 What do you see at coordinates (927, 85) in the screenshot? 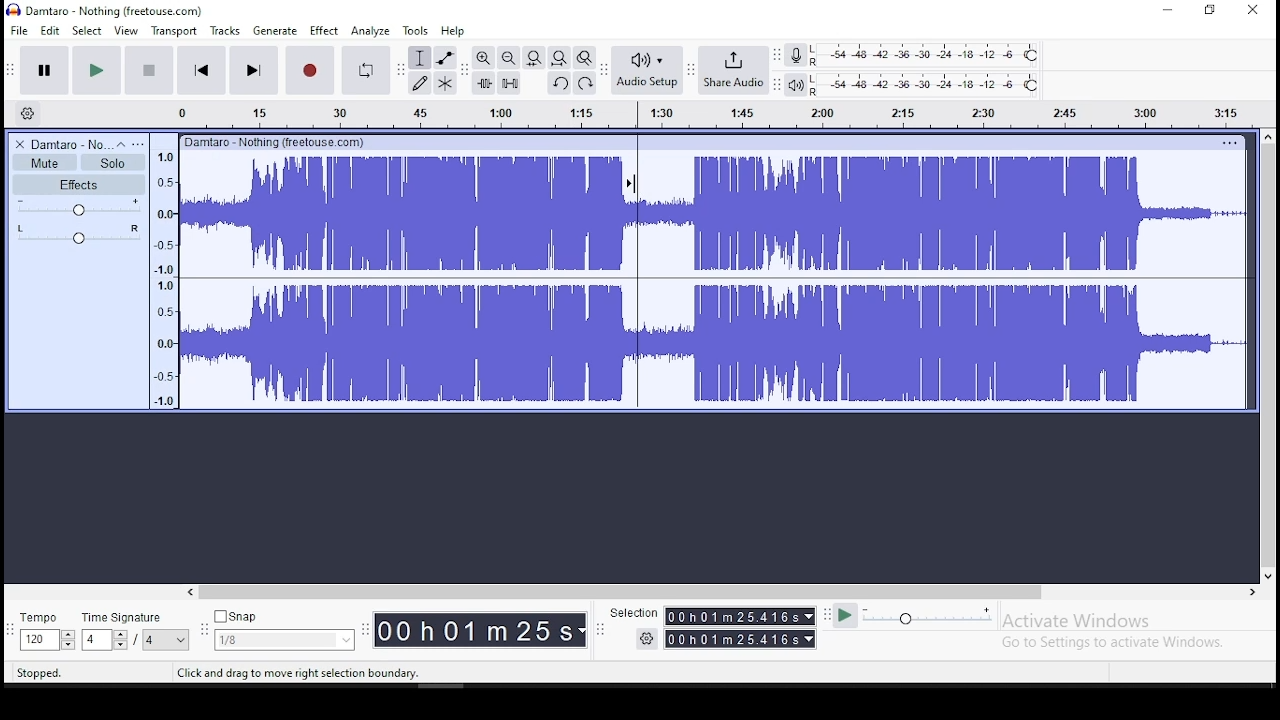
I see `playback level` at bounding box center [927, 85].